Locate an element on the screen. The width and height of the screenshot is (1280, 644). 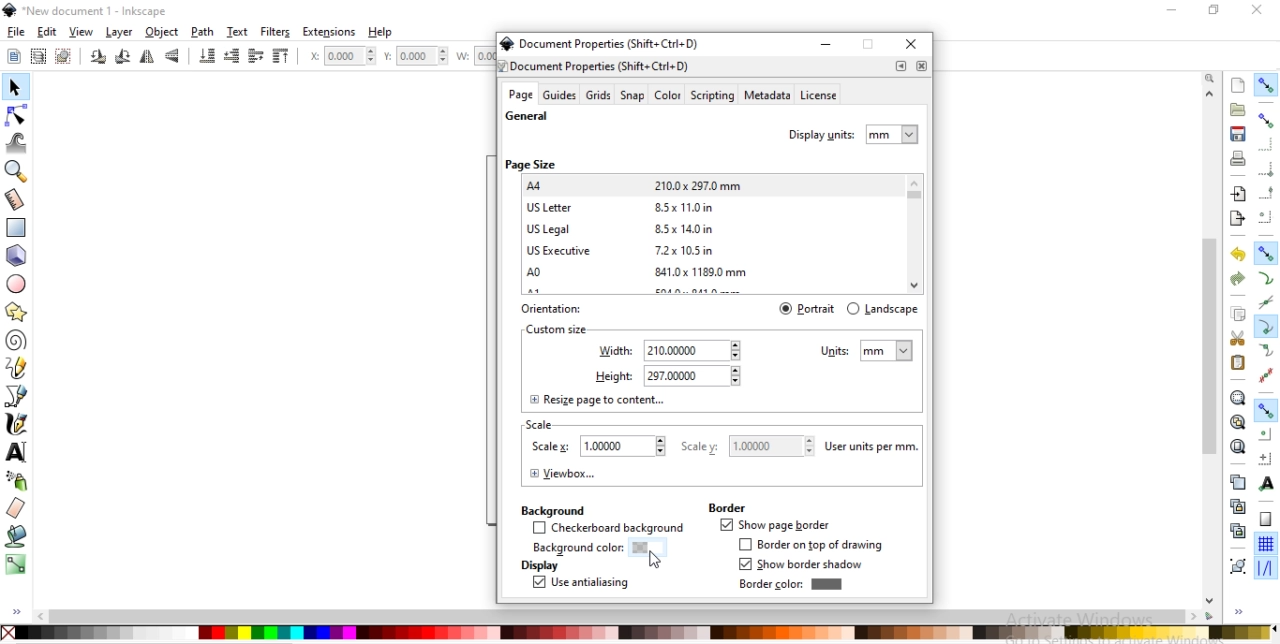
path is located at coordinates (204, 32).